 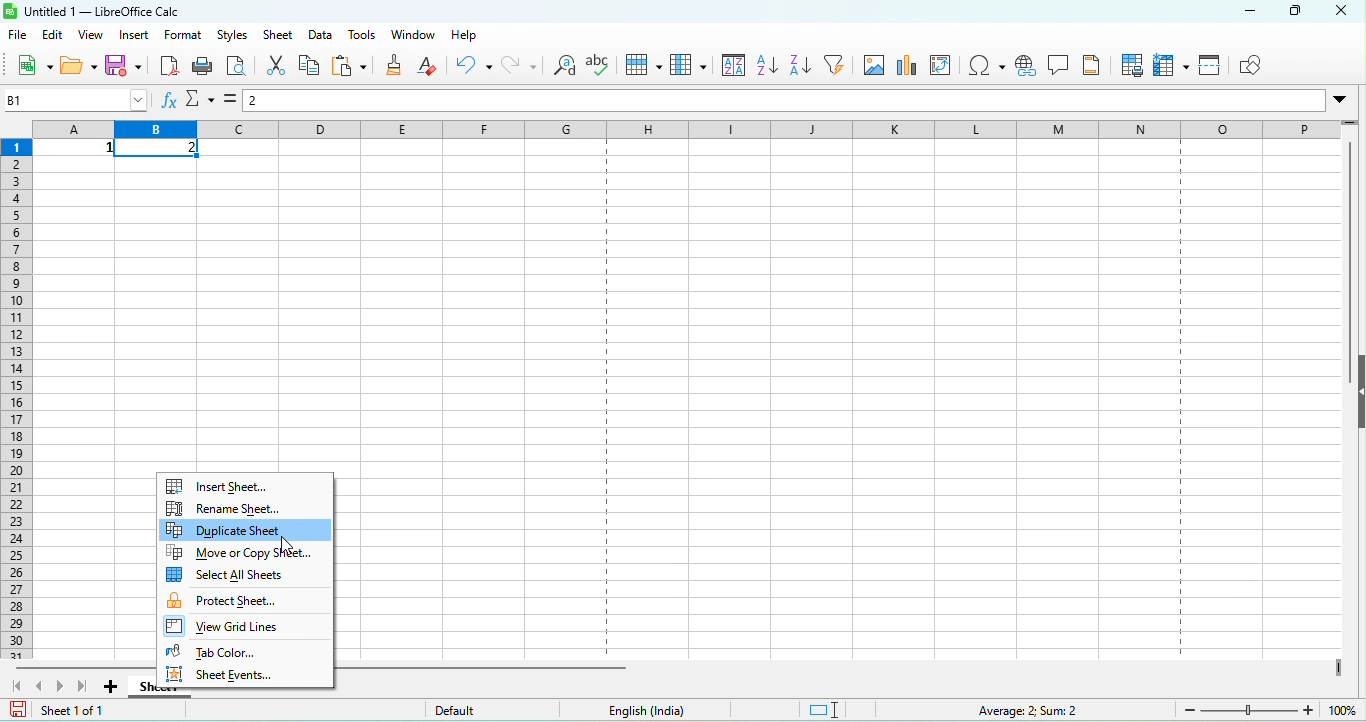 I want to click on average 2, sum 2, so click(x=1039, y=710).